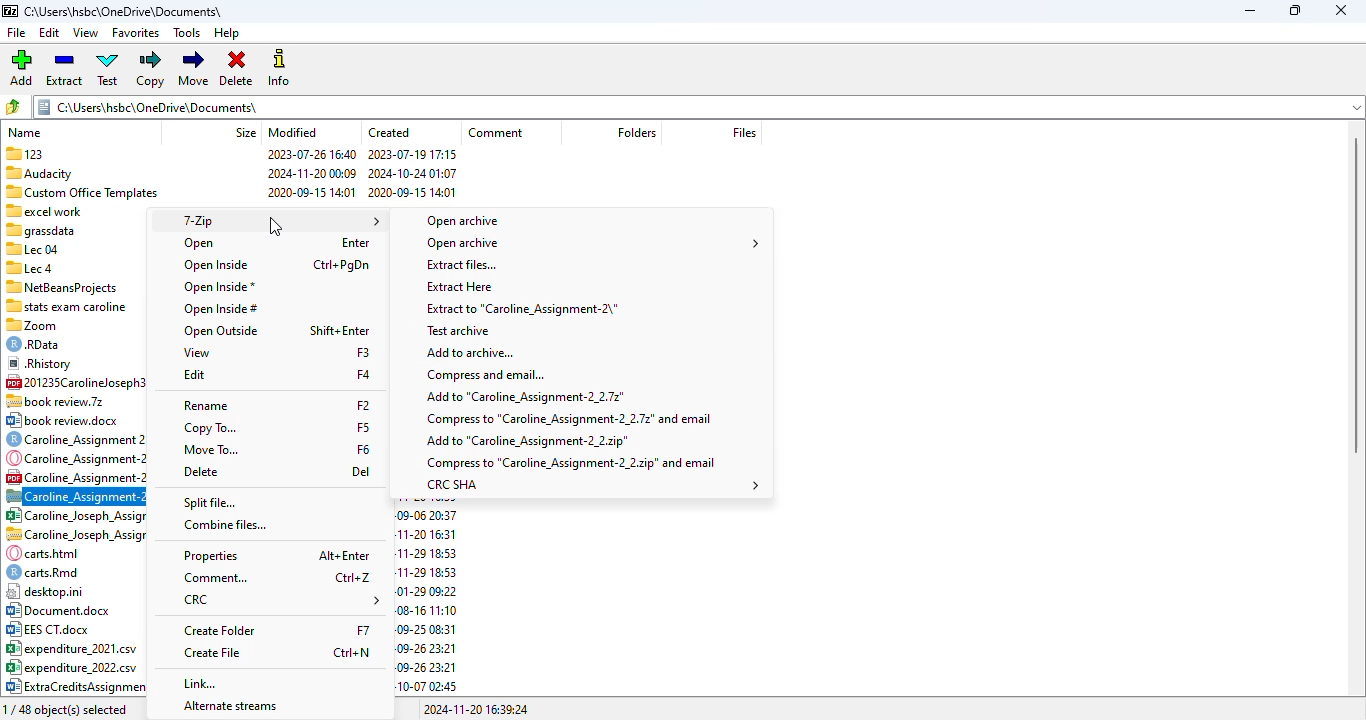 The width and height of the screenshot is (1366, 720). I want to click on folder, so click(696, 107).